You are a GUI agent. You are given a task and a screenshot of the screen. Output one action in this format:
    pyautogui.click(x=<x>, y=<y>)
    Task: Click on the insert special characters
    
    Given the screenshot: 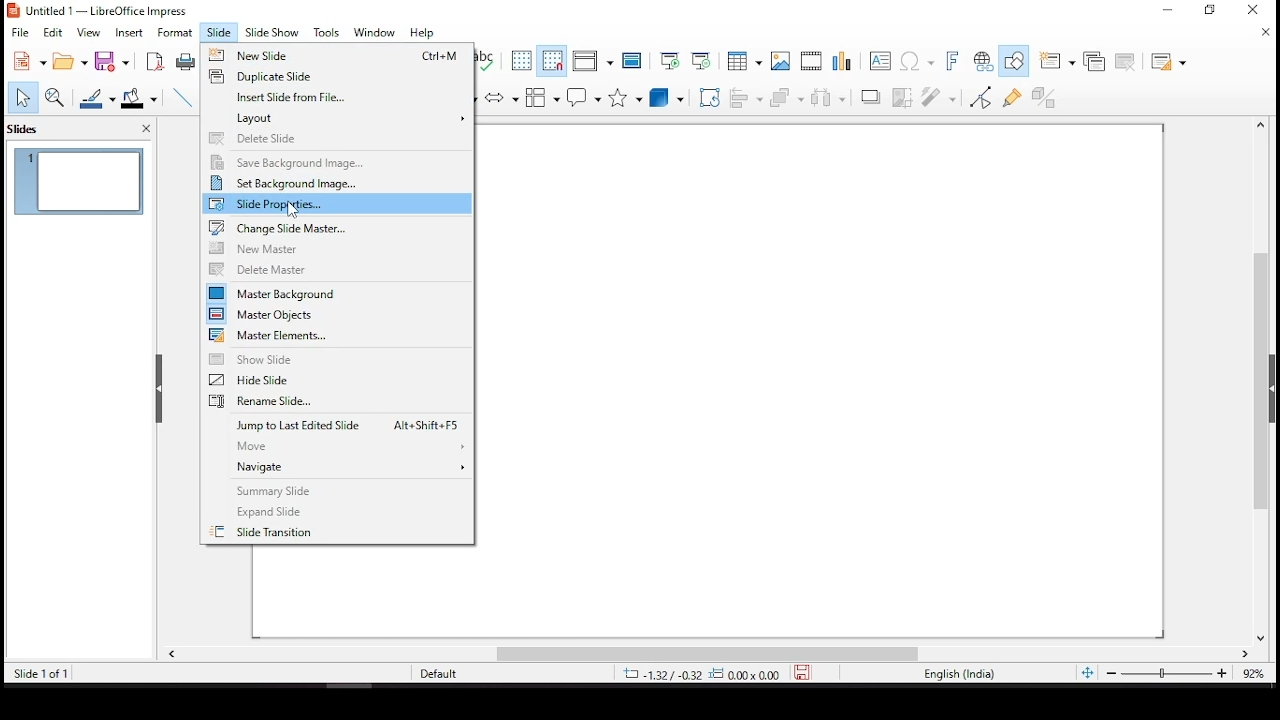 What is the action you would take?
    pyautogui.click(x=918, y=58)
    